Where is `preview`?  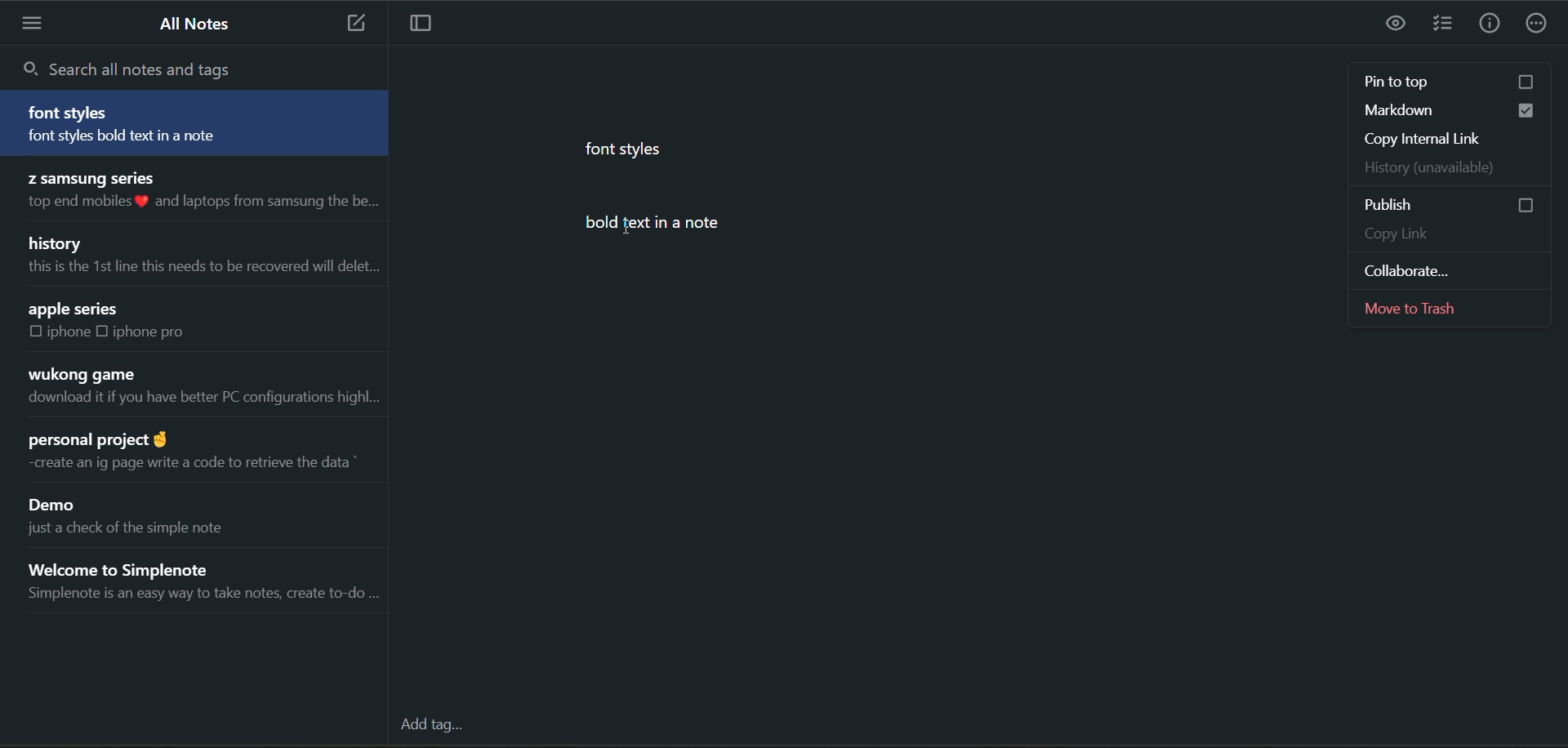 preview is located at coordinates (1397, 24).